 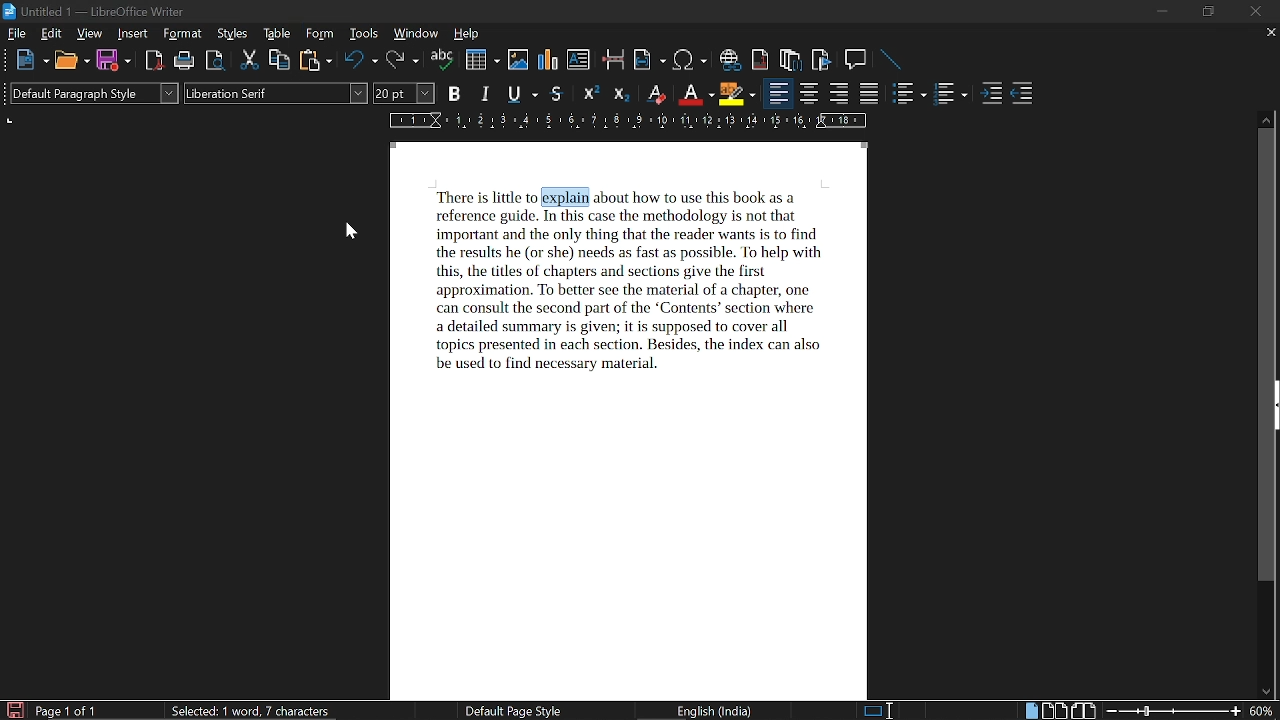 What do you see at coordinates (730, 59) in the screenshot?
I see `insert hyperlink` at bounding box center [730, 59].